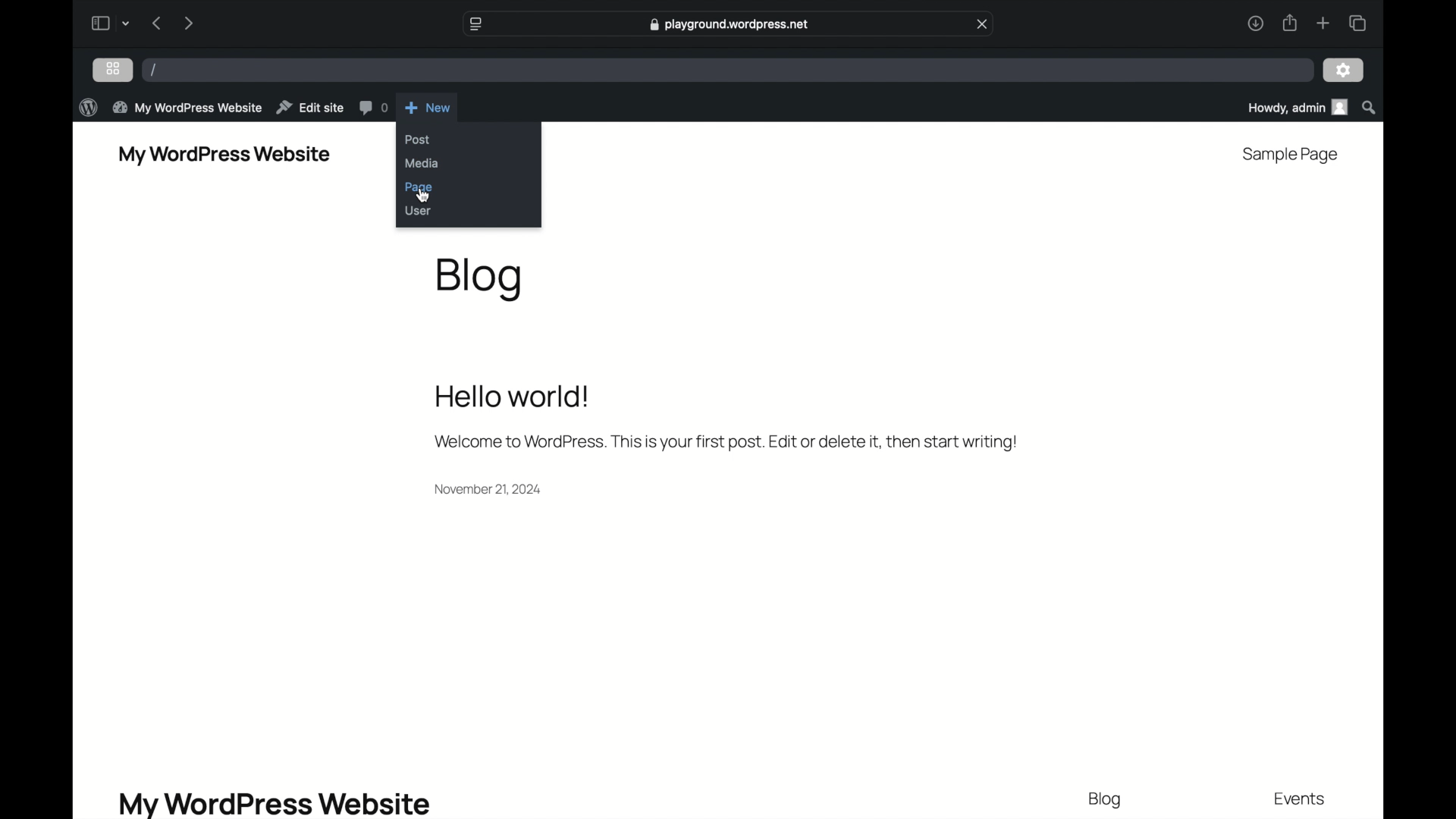 This screenshot has width=1456, height=819. What do you see at coordinates (1295, 107) in the screenshot?
I see `howdy, admin` at bounding box center [1295, 107].